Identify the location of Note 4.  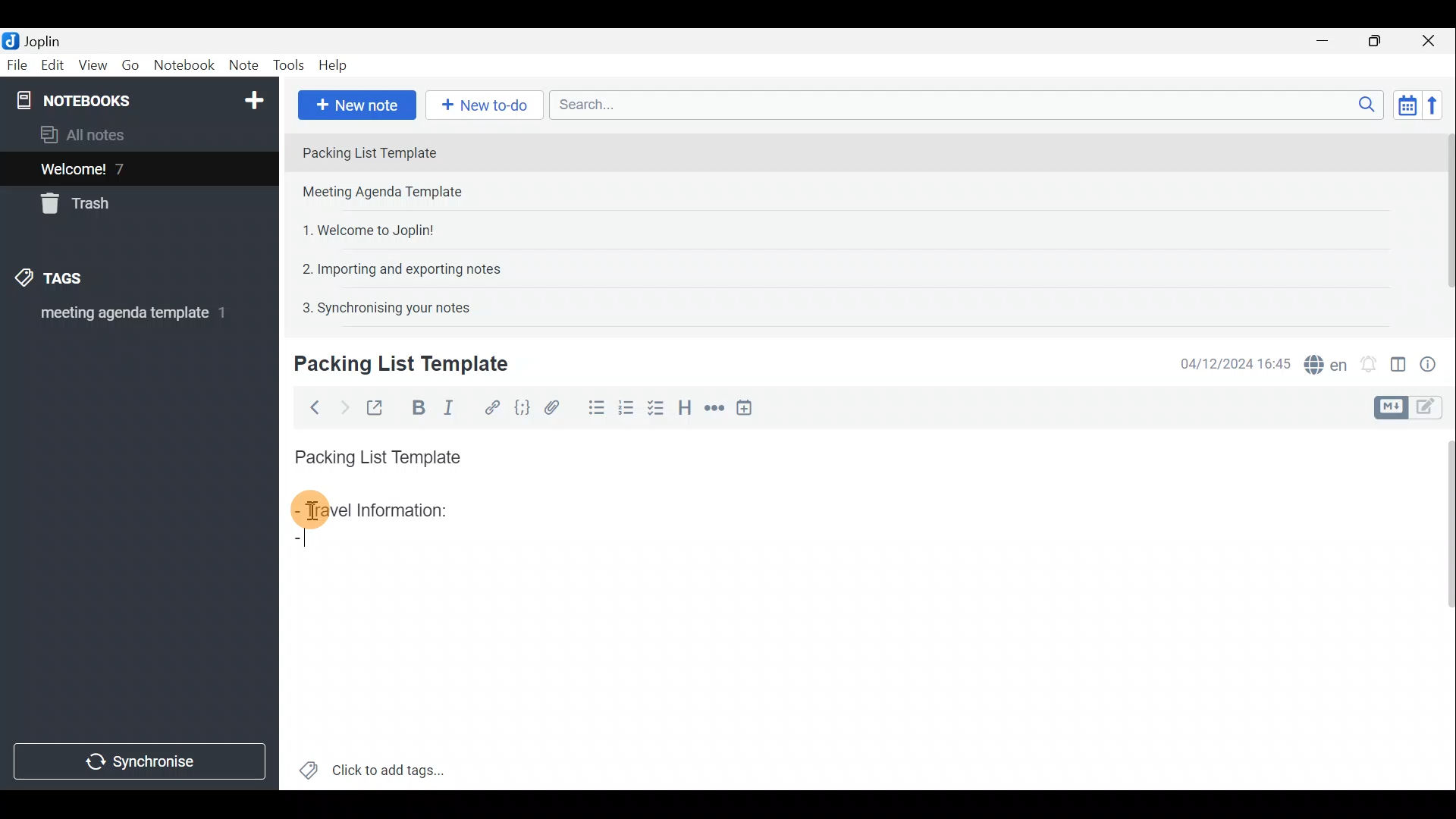
(394, 266).